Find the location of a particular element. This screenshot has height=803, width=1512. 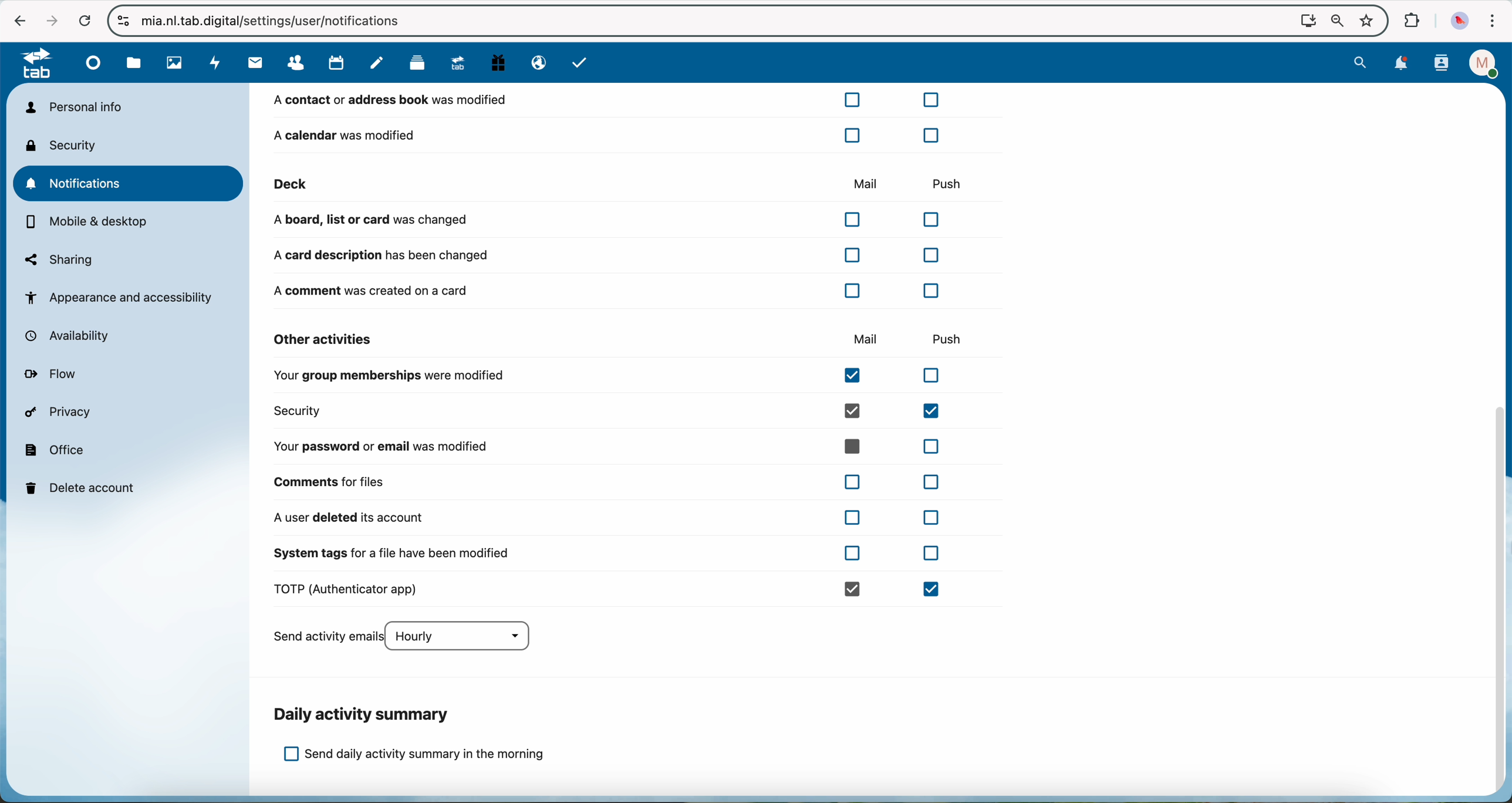

daily activity summary is located at coordinates (364, 714).